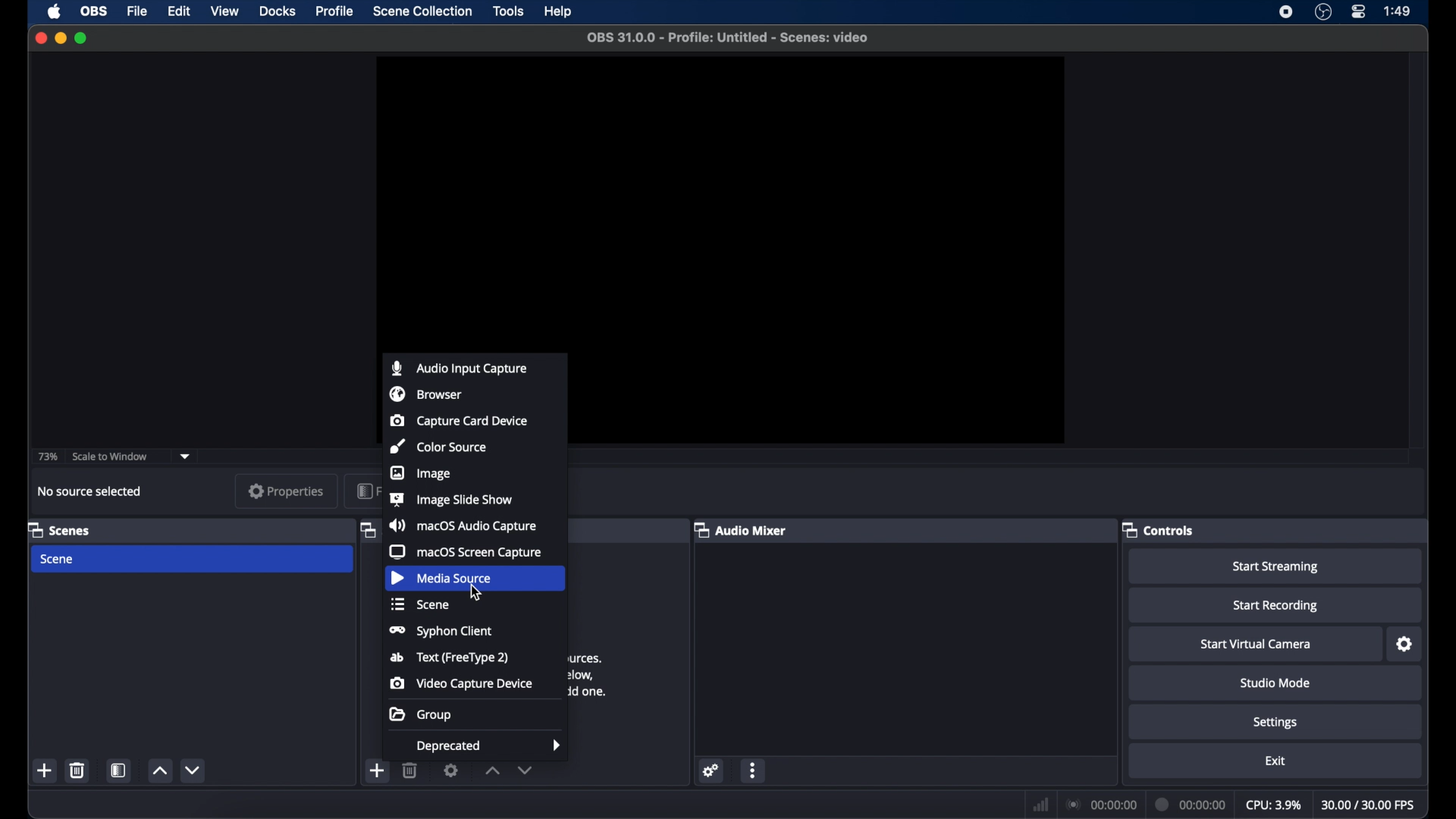  What do you see at coordinates (1276, 761) in the screenshot?
I see `exit` at bounding box center [1276, 761].